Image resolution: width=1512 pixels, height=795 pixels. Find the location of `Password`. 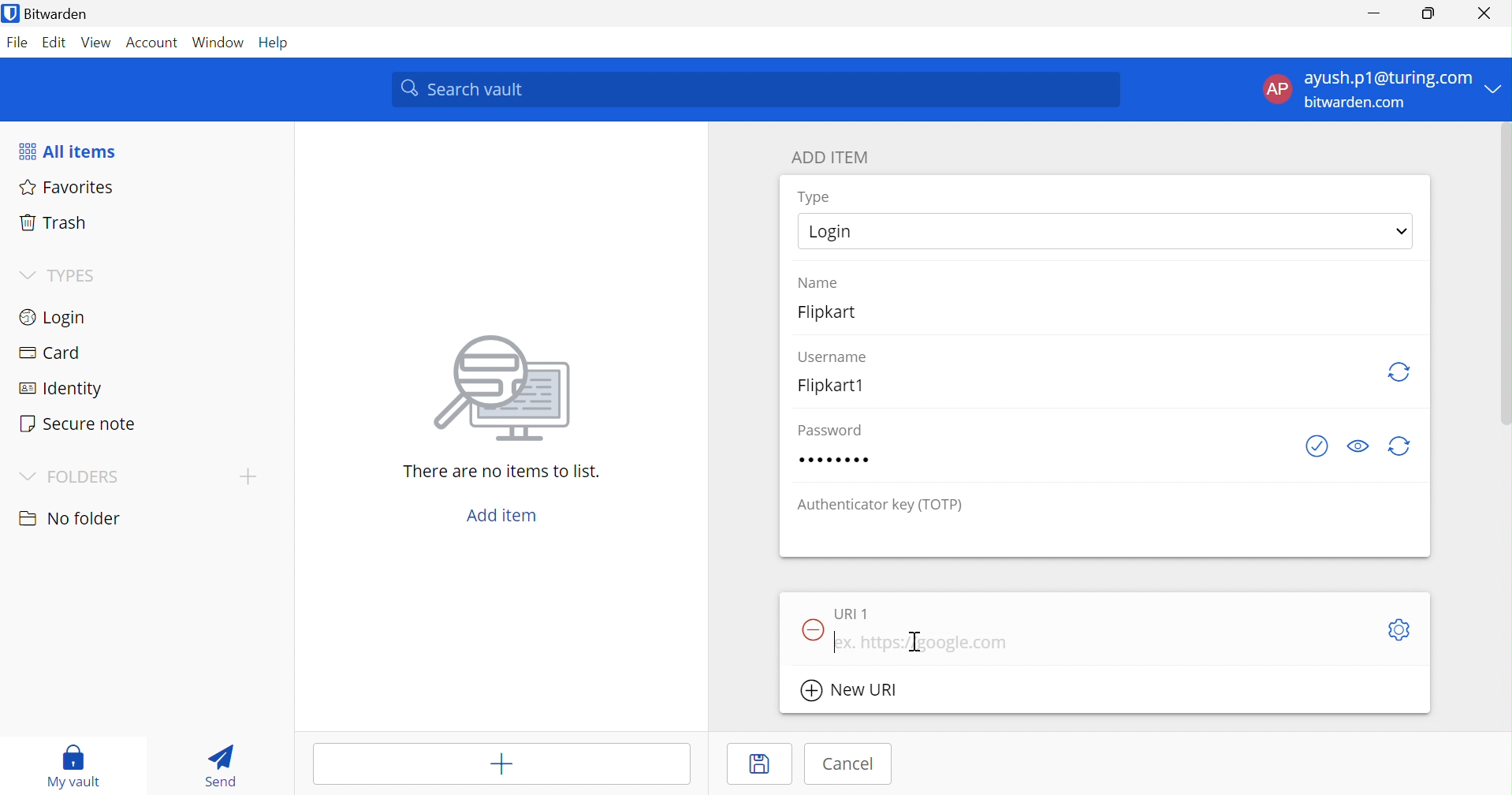

Password is located at coordinates (838, 461).